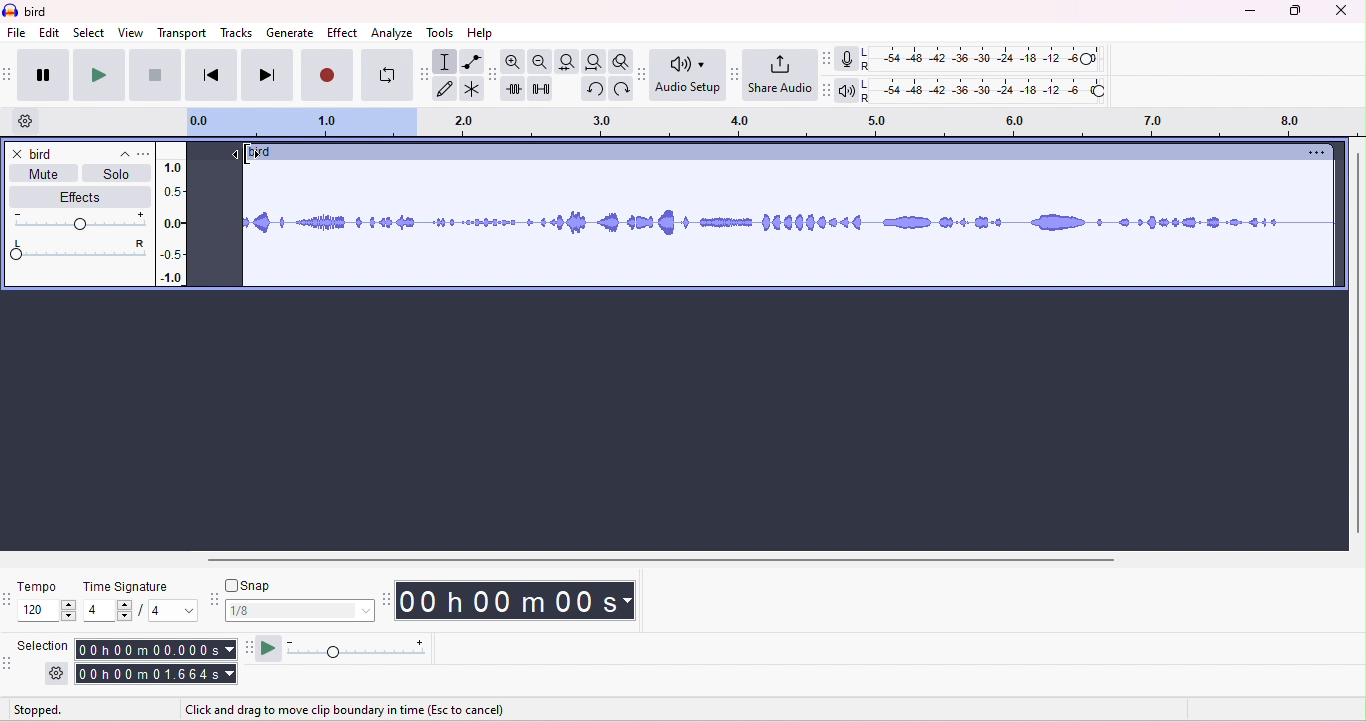  I want to click on effects, so click(73, 197).